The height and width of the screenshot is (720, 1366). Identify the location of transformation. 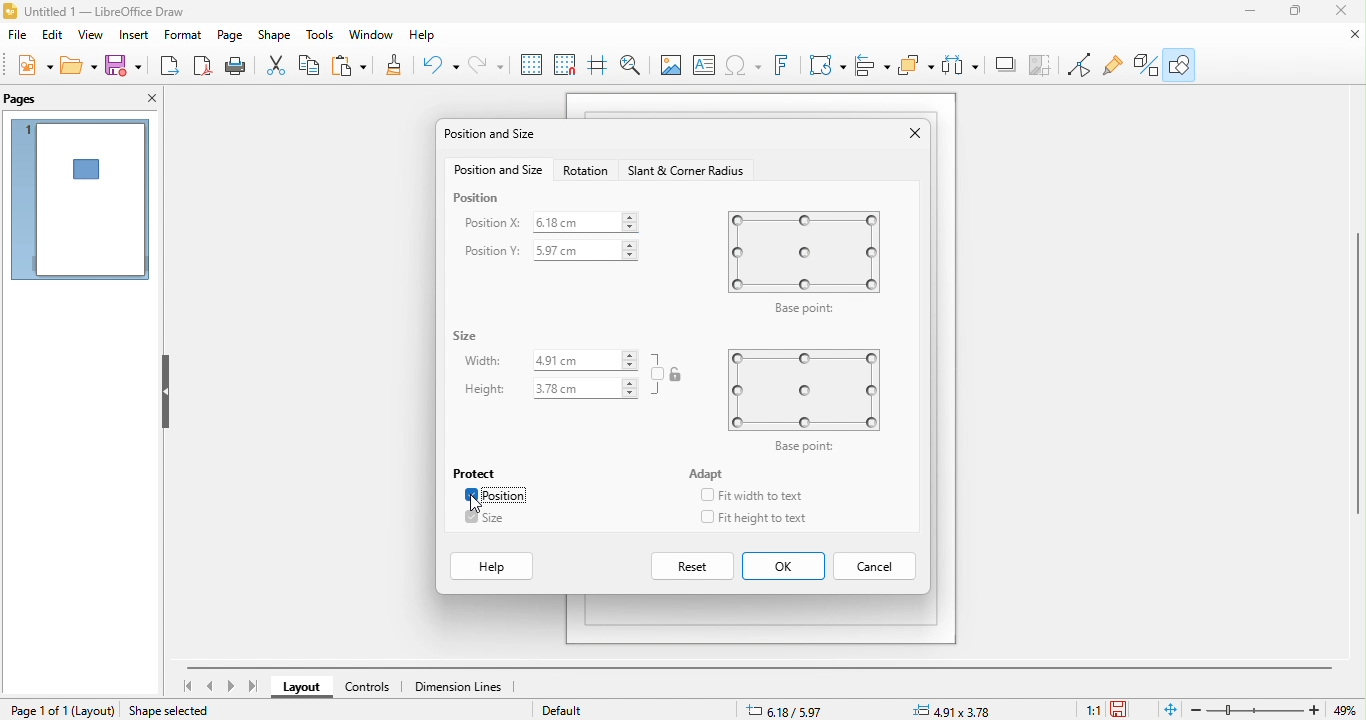
(827, 65).